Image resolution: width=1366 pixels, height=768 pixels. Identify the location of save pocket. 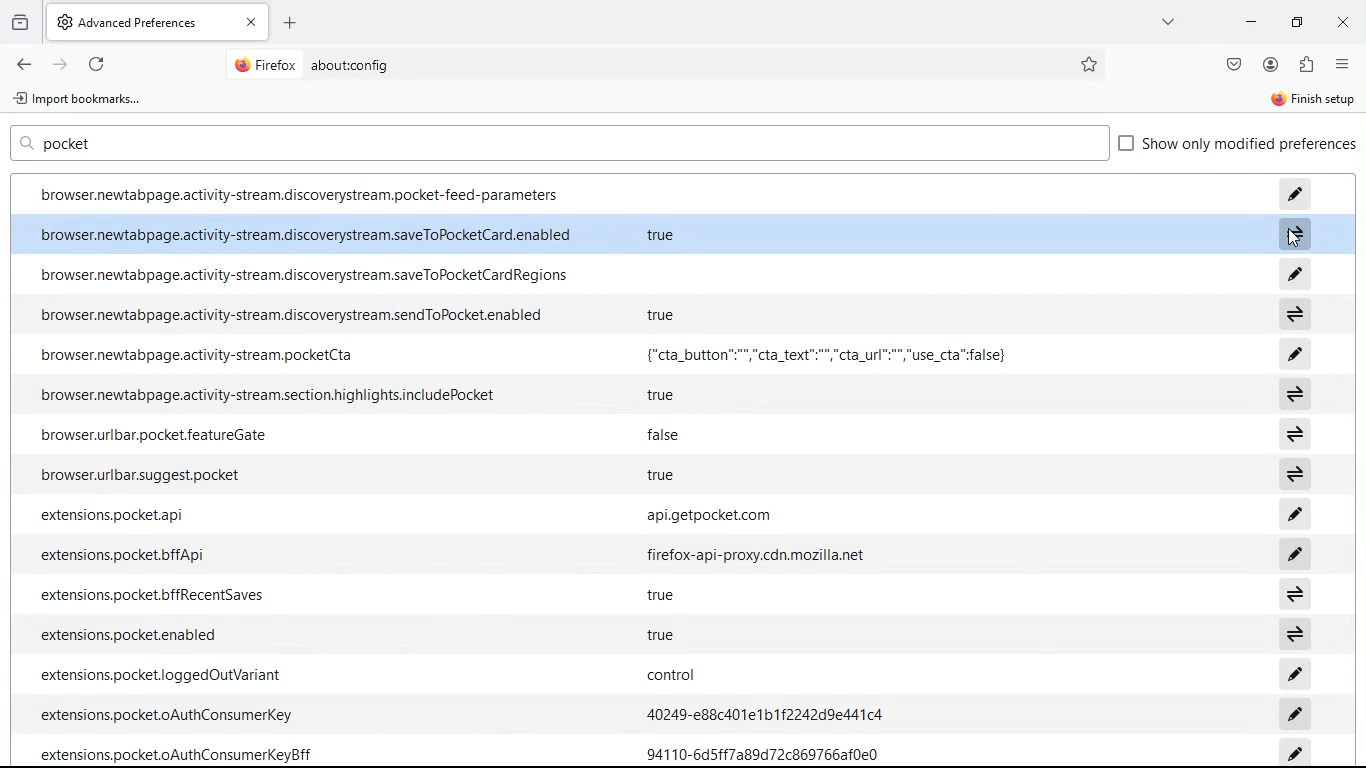
(1233, 66).